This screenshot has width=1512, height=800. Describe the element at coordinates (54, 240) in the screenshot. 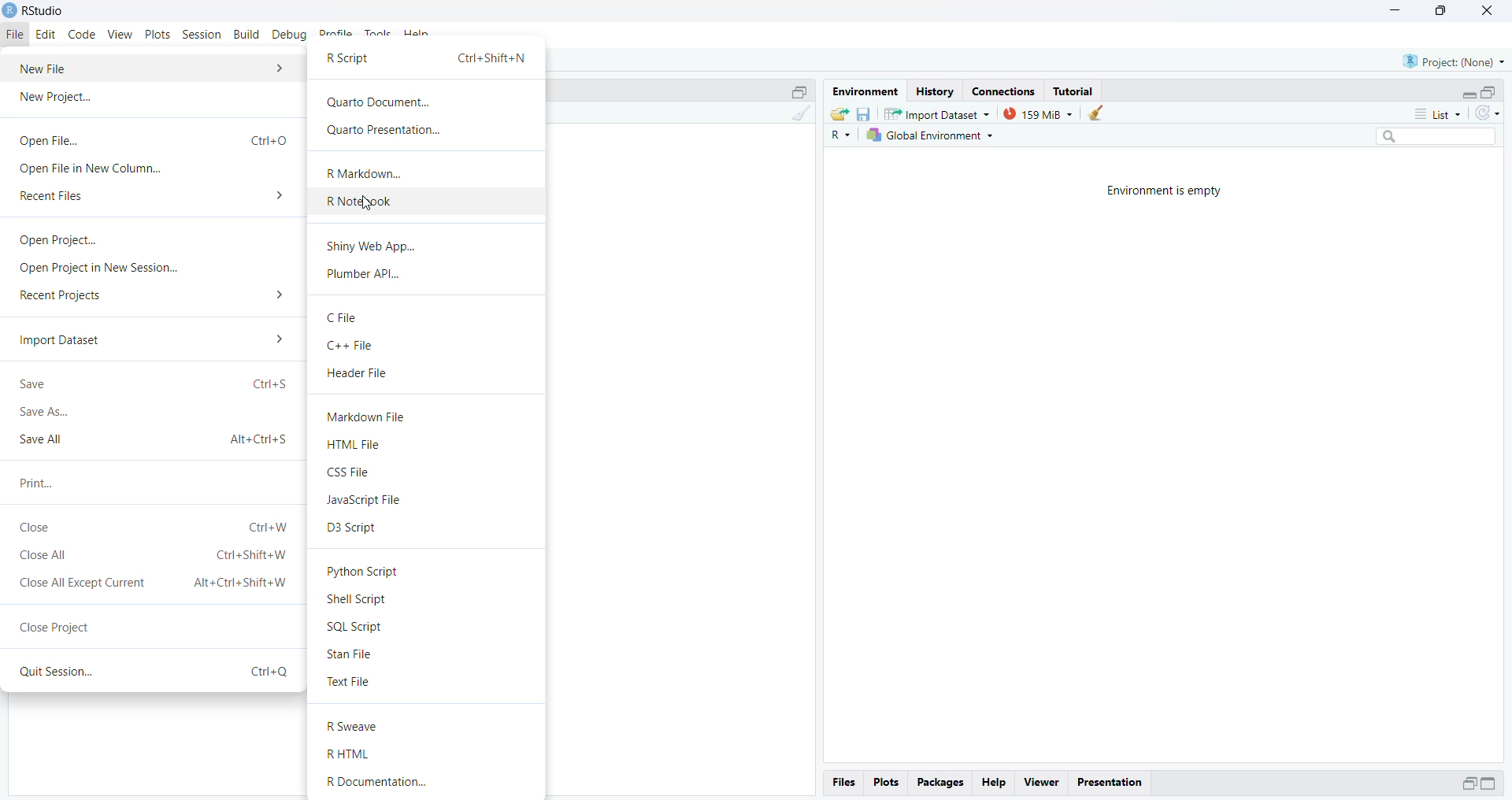

I see `Open Project...` at that location.